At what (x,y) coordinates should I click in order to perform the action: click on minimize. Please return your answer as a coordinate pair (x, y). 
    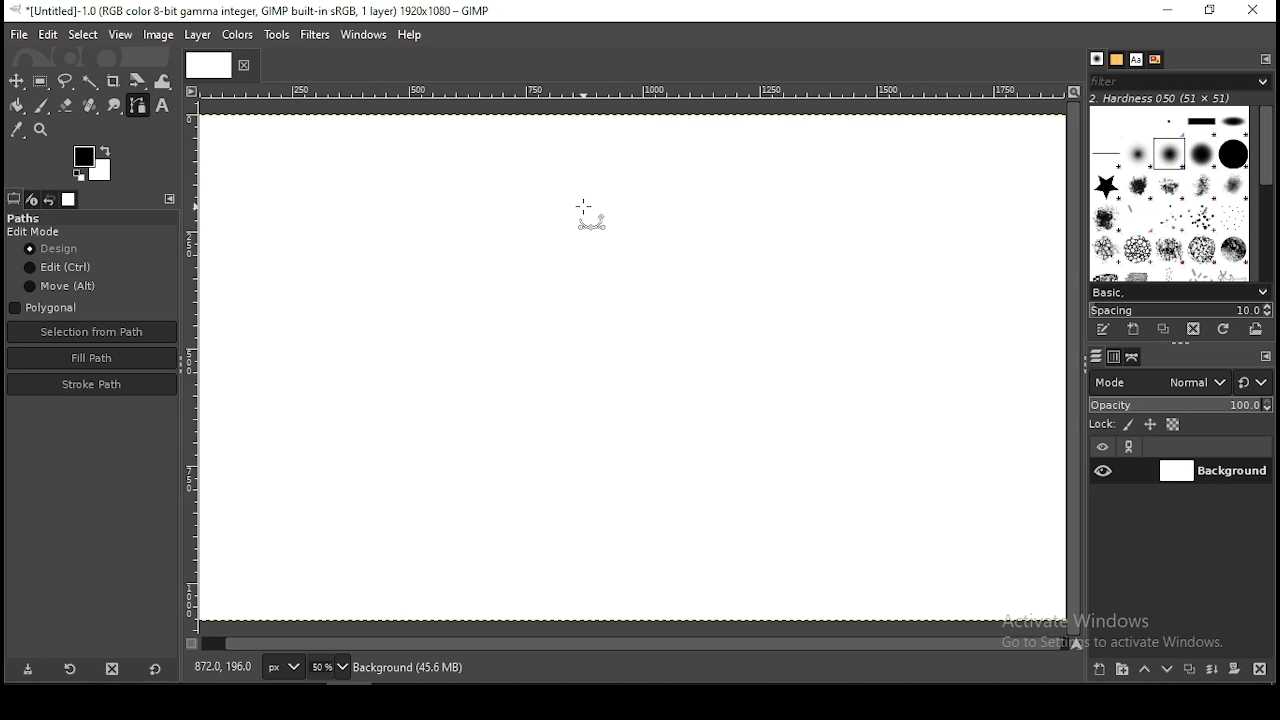
    Looking at the image, I should click on (1169, 10).